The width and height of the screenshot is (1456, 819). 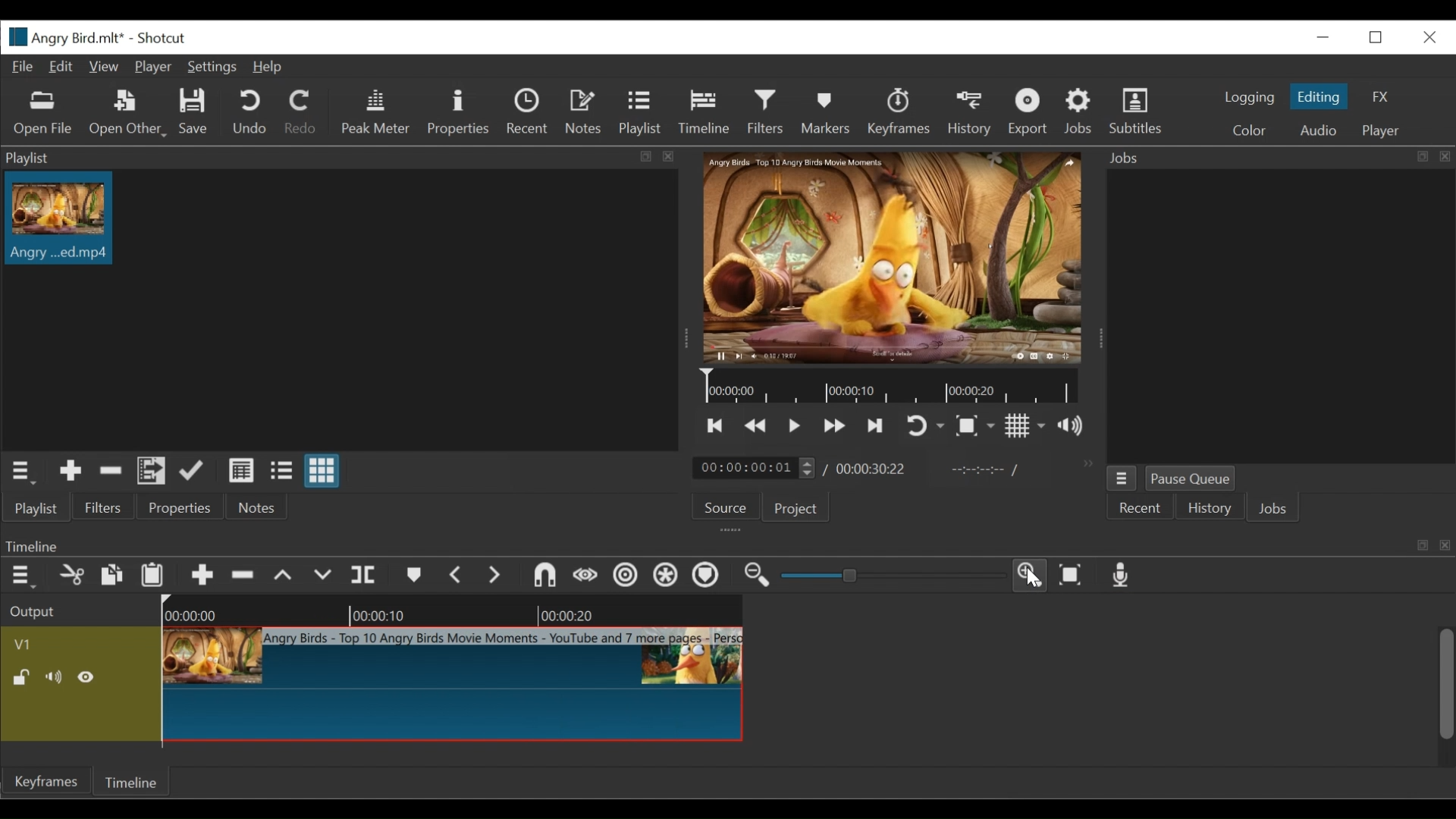 I want to click on Subtitles, so click(x=1137, y=111).